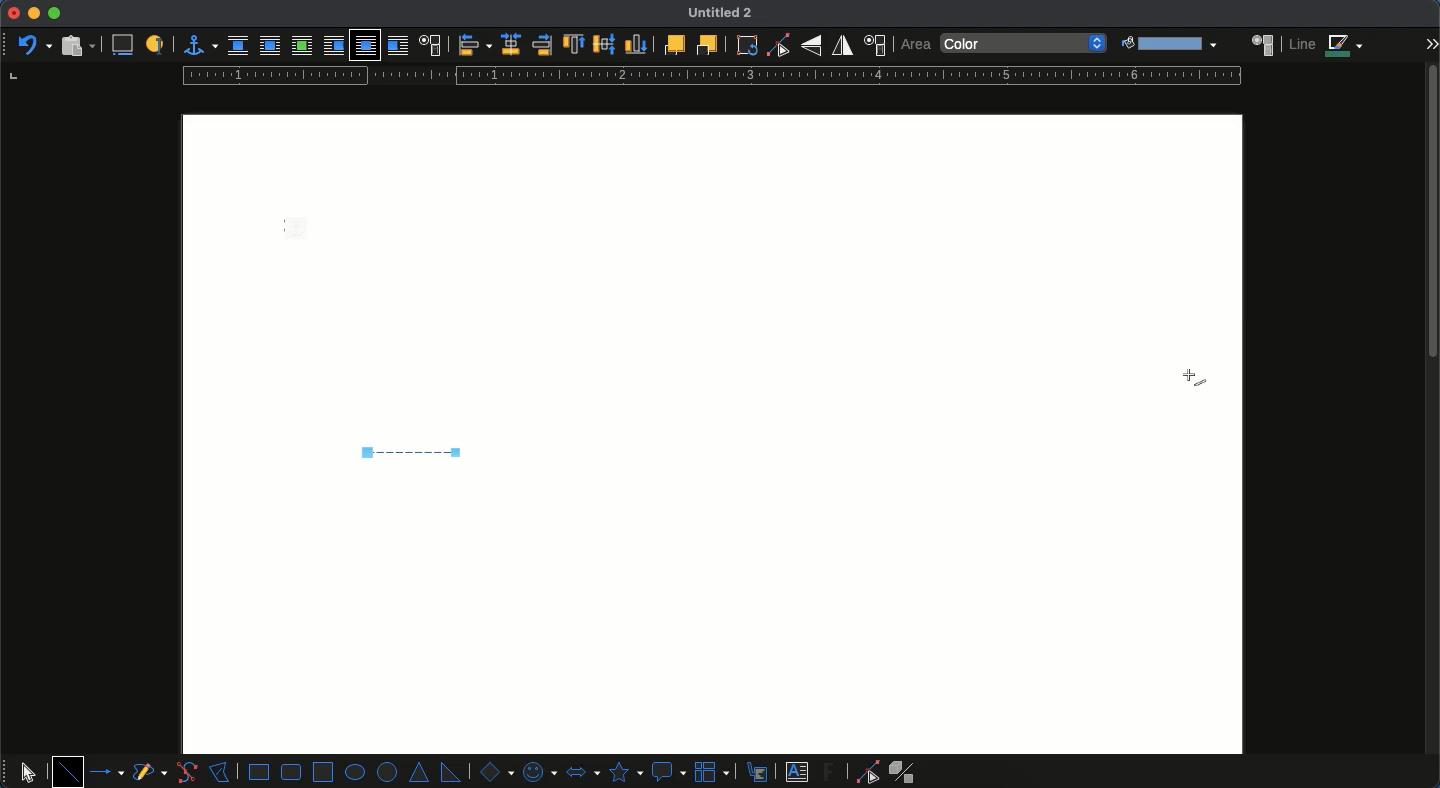 This screenshot has width=1440, height=788. What do you see at coordinates (705, 44) in the screenshot?
I see `back one` at bounding box center [705, 44].